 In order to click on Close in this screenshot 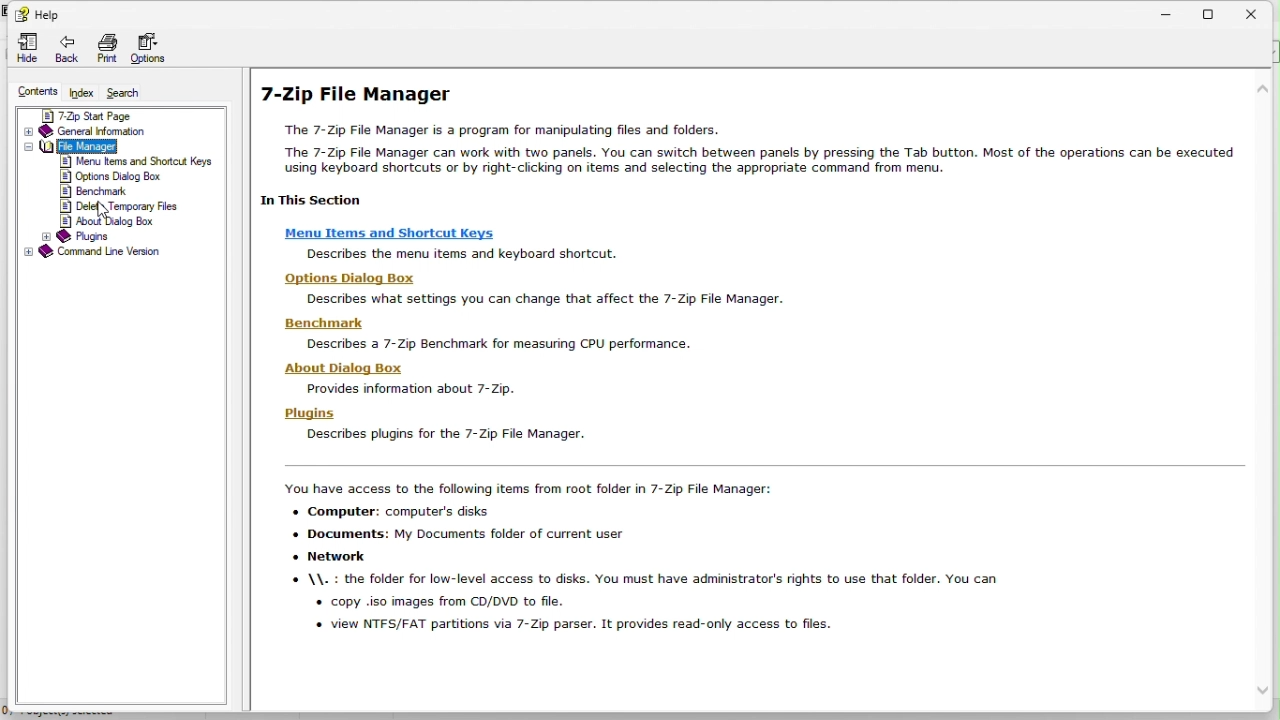, I will do `click(1261, 12)`.